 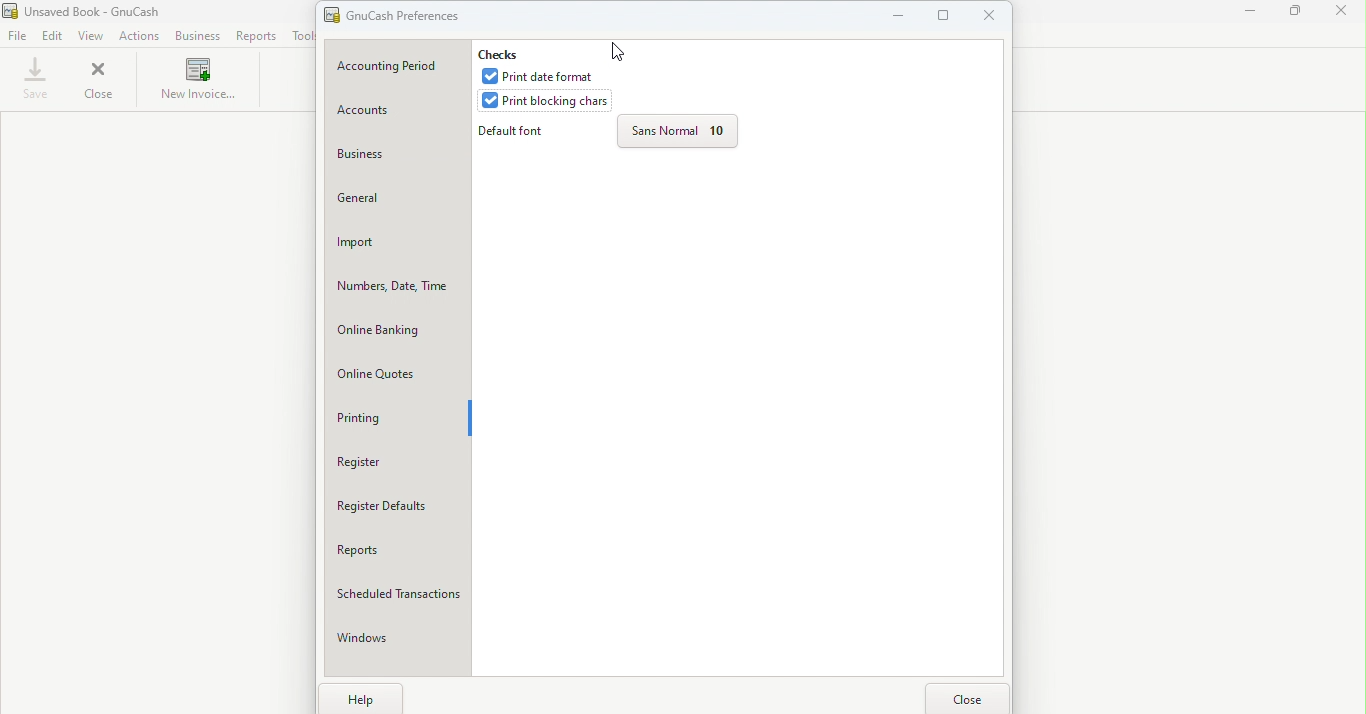 What do you see at coordinates (943, 18) in the screenshot?
I see `Maximize` at bounding box center [943, 18].